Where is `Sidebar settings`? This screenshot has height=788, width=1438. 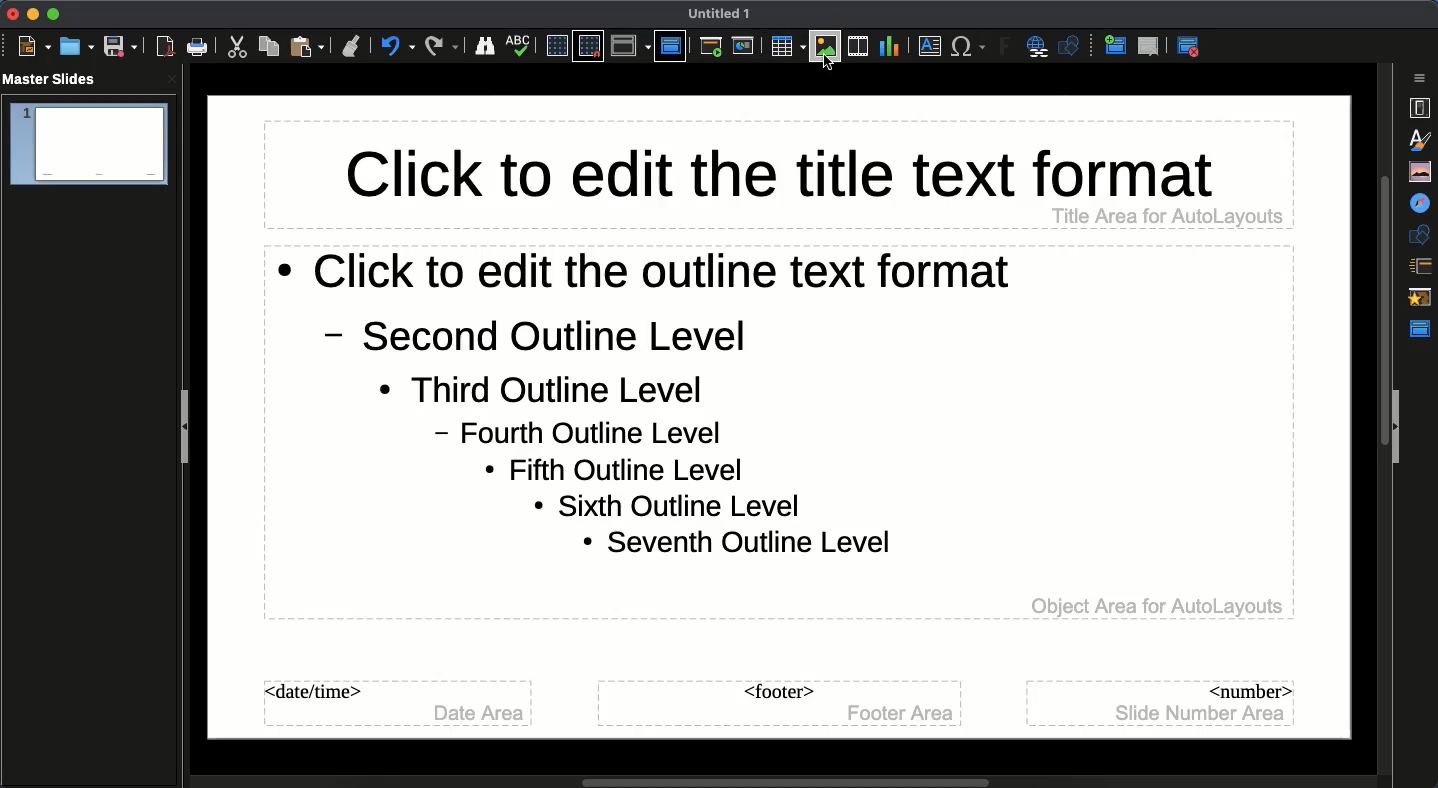
Sidebar settings is located at coordinates (1422, 78).